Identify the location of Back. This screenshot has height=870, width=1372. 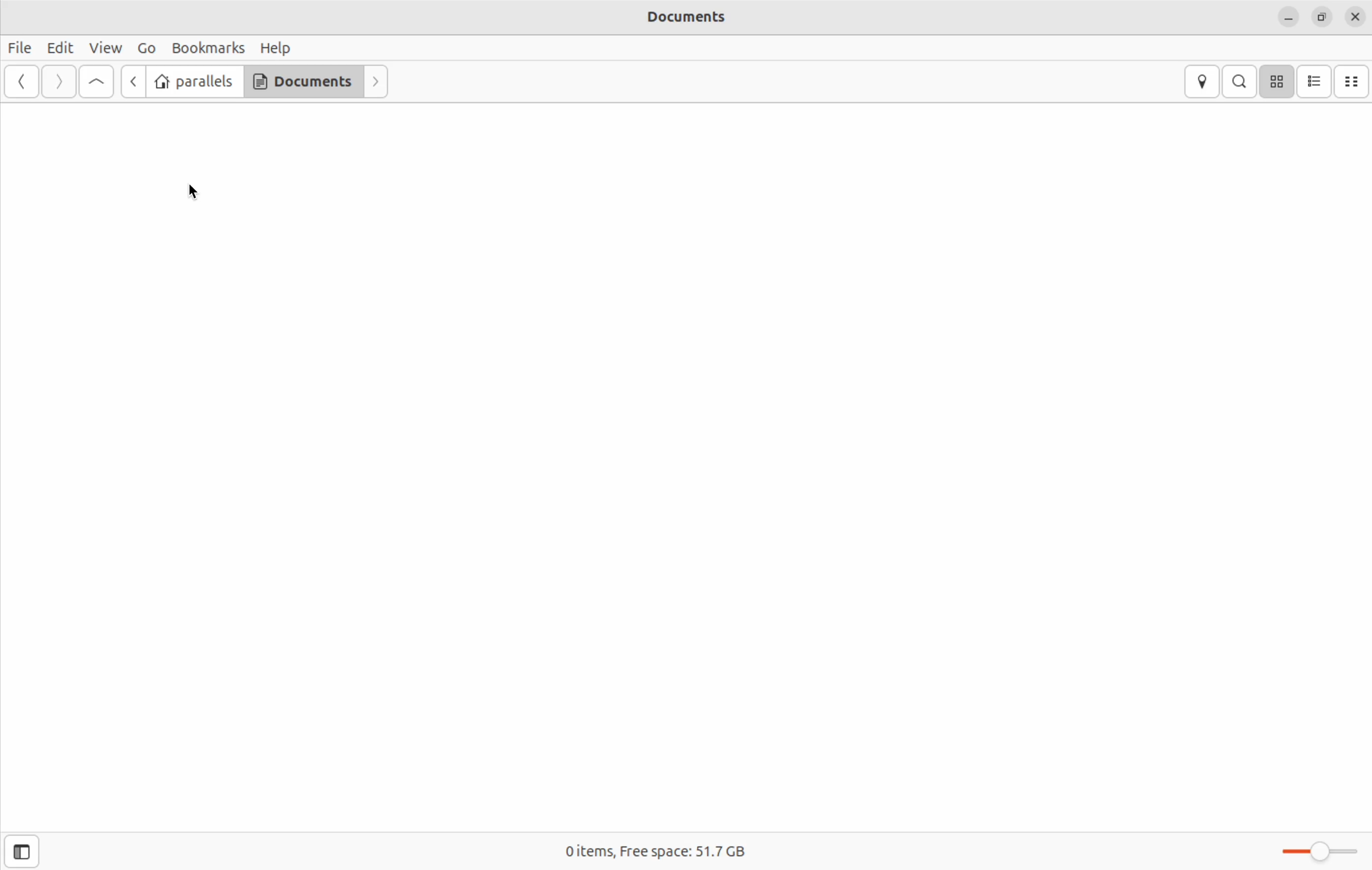
(20, 82).